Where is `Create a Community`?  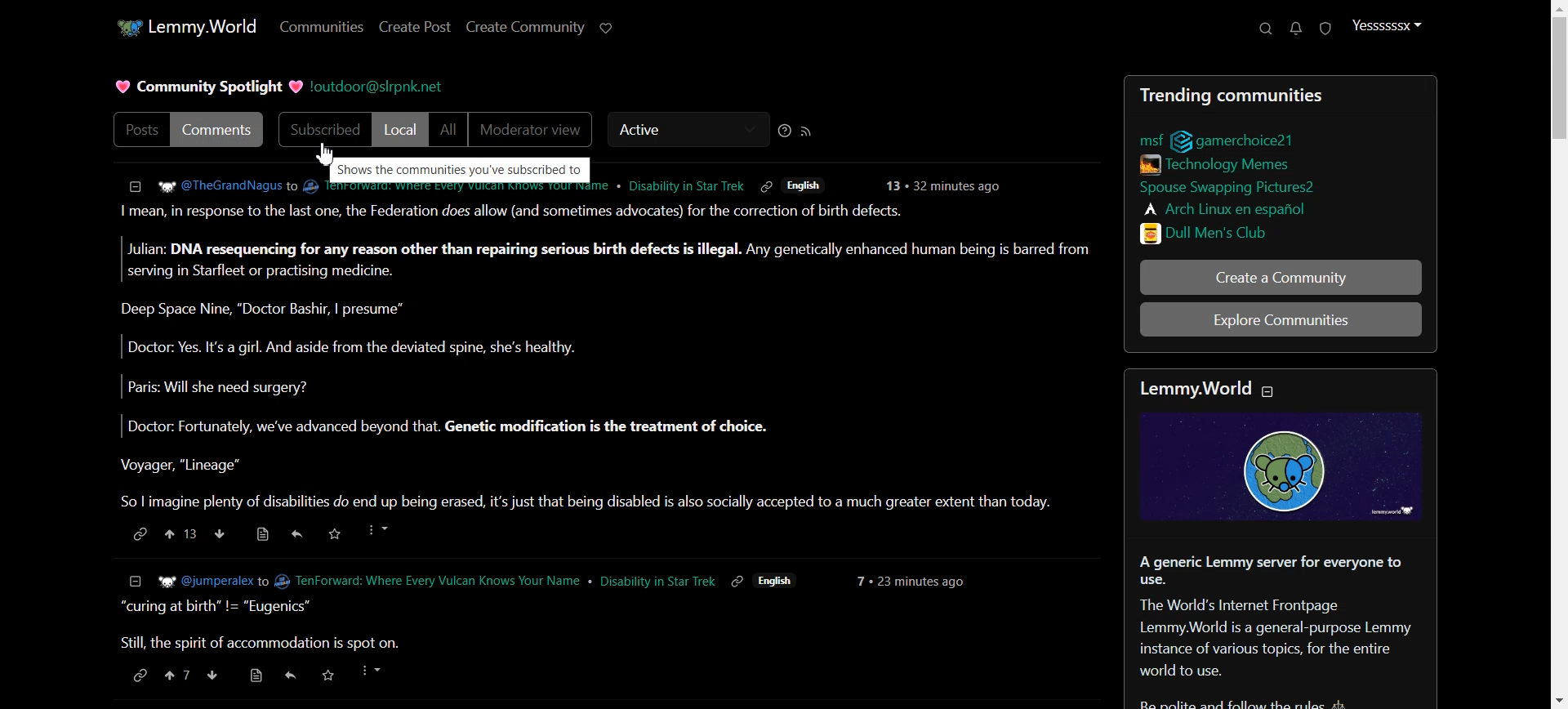 Create a Community is located at coordinates (1280, 277).